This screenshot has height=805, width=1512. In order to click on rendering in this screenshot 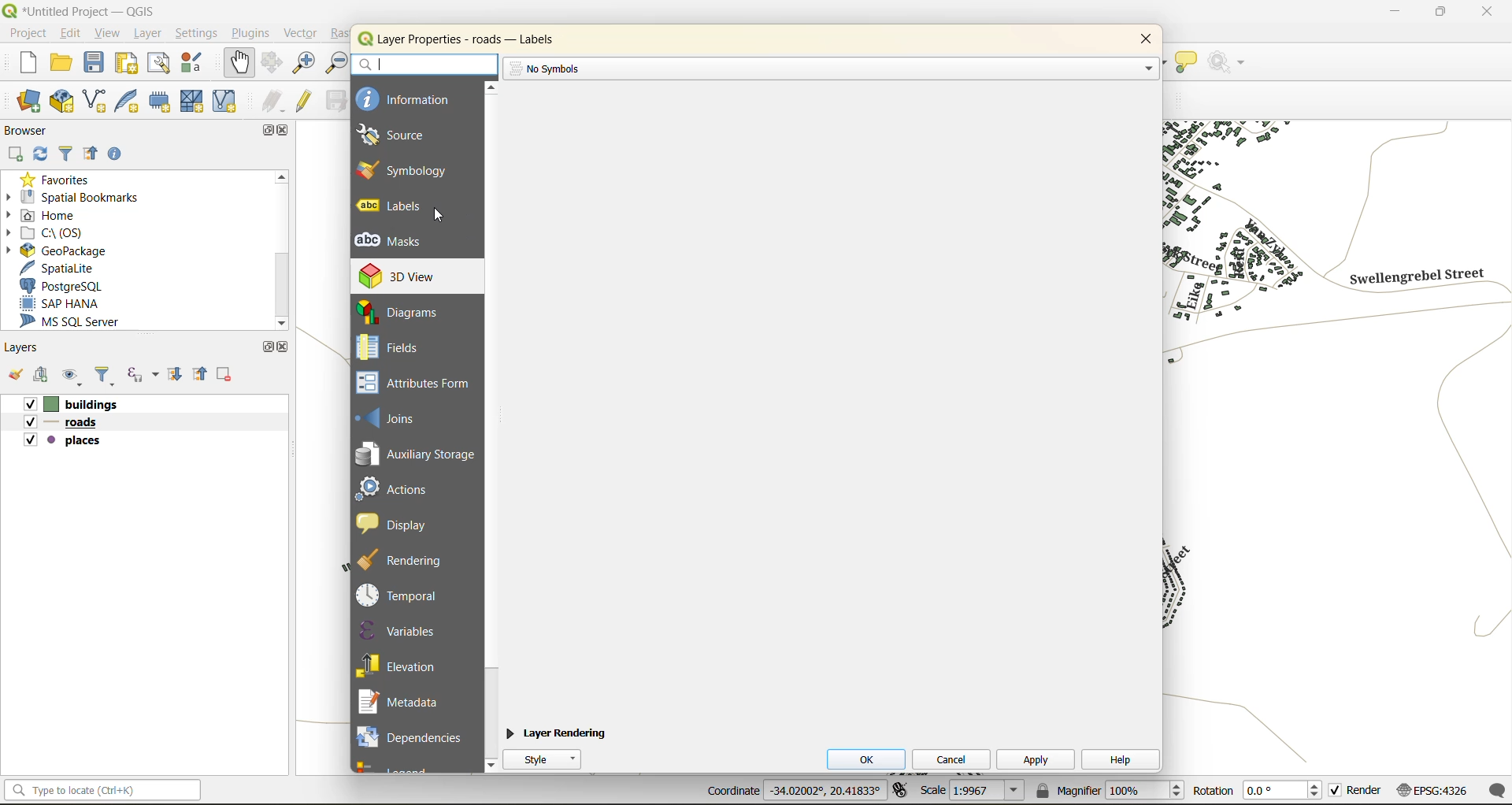, I will do `click(409, 560)`.